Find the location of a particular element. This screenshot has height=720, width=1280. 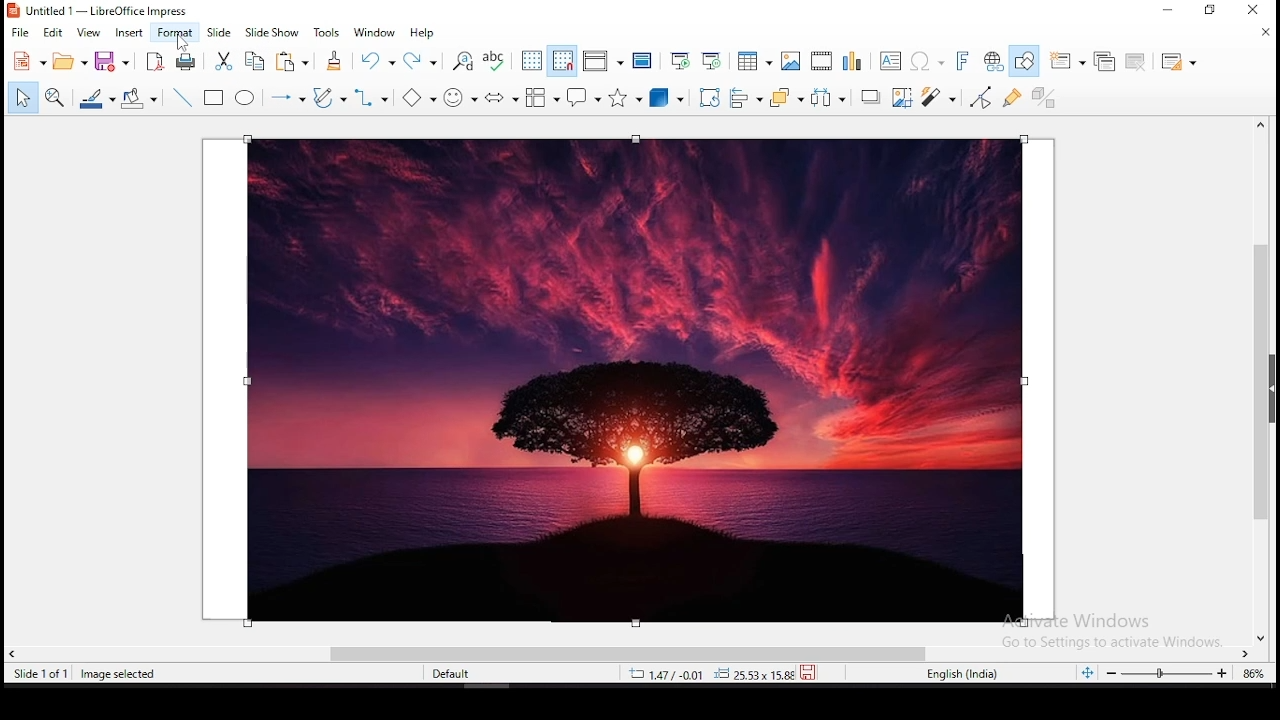

ellipse is located at coordinates (246, 98).